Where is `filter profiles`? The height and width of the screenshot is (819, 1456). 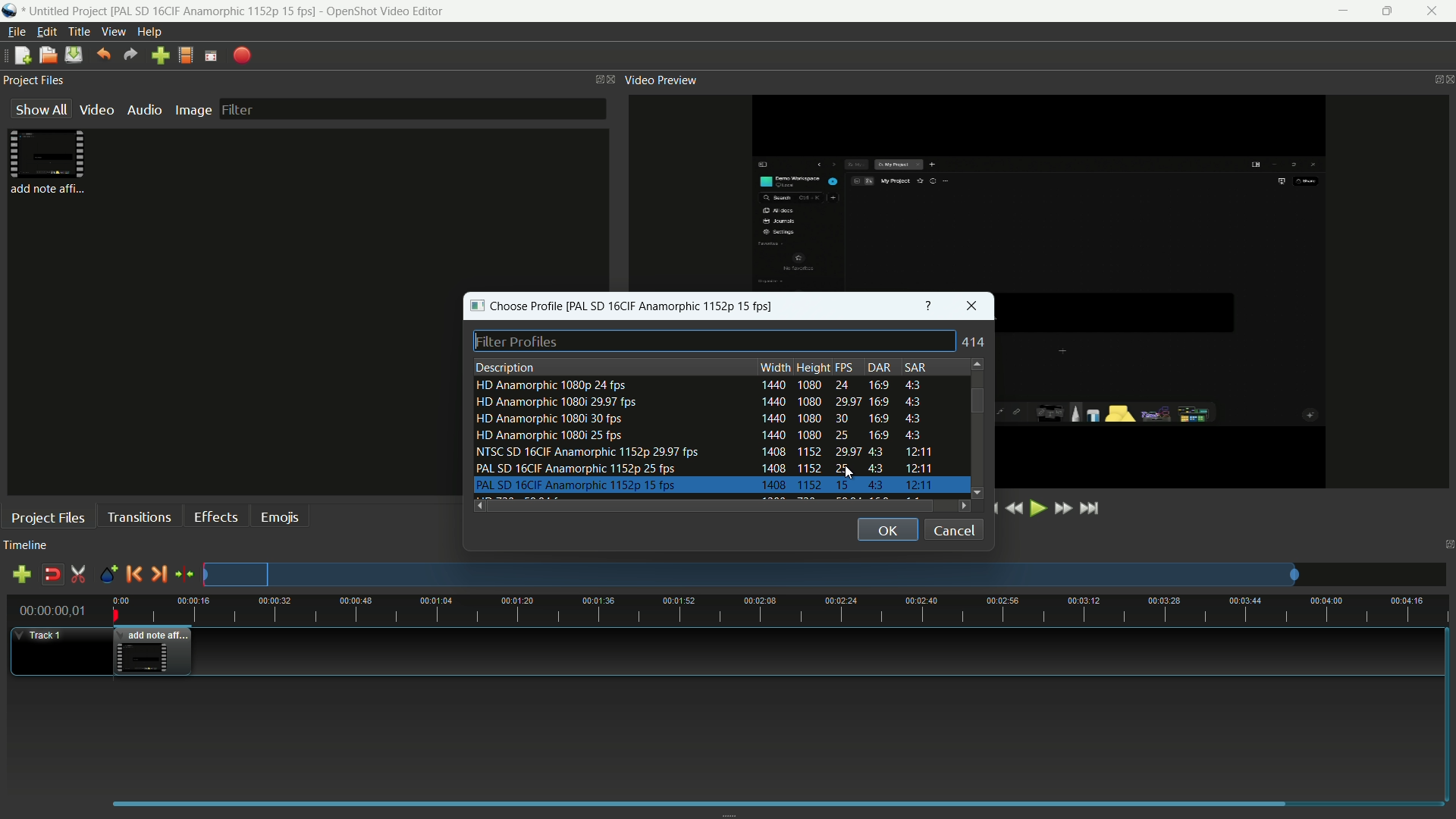
filter profiles is located at coordinates (717, 341).